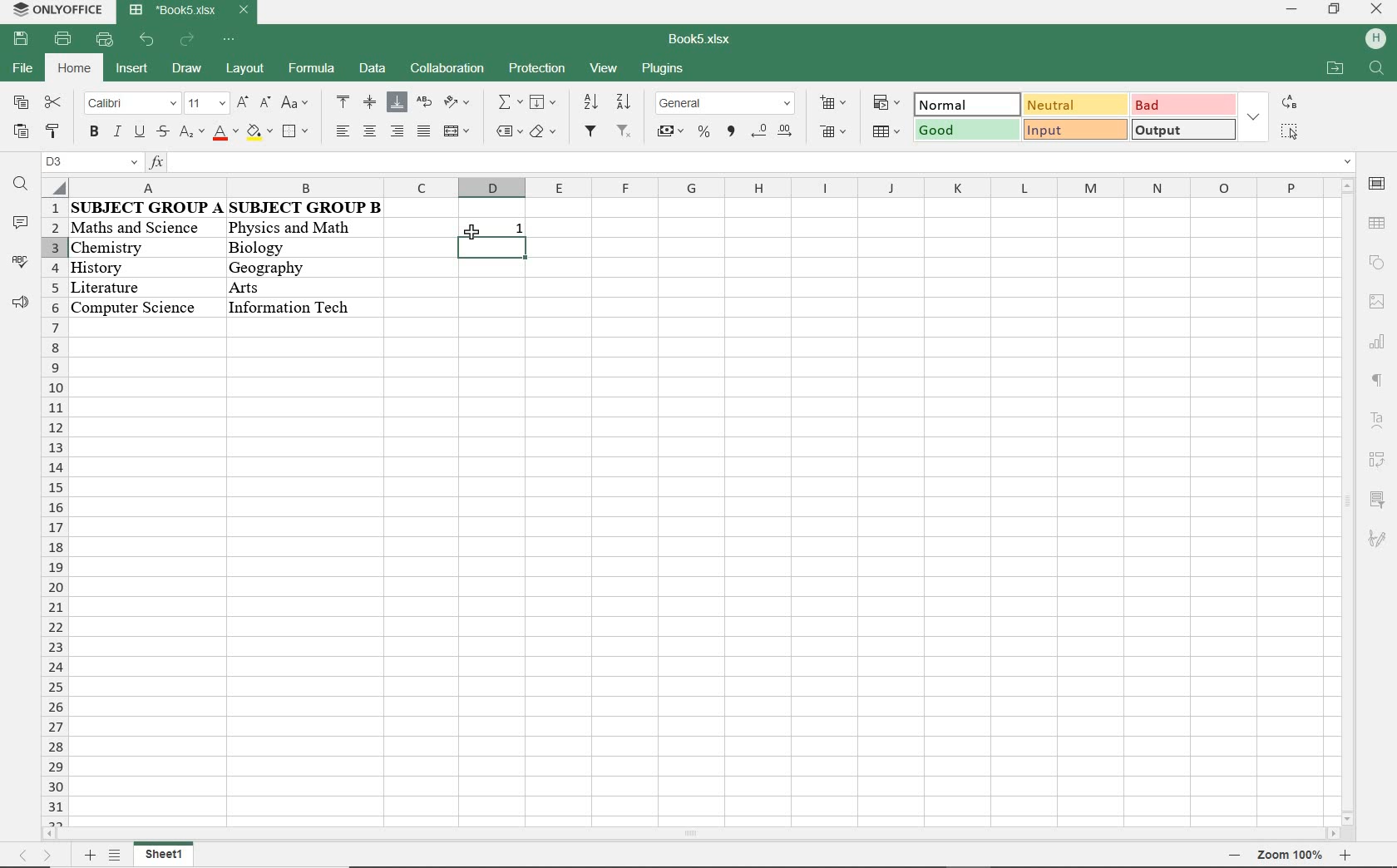  Describe the element at coordinates (77, 67) in the screenshot. I see `home` at that location.